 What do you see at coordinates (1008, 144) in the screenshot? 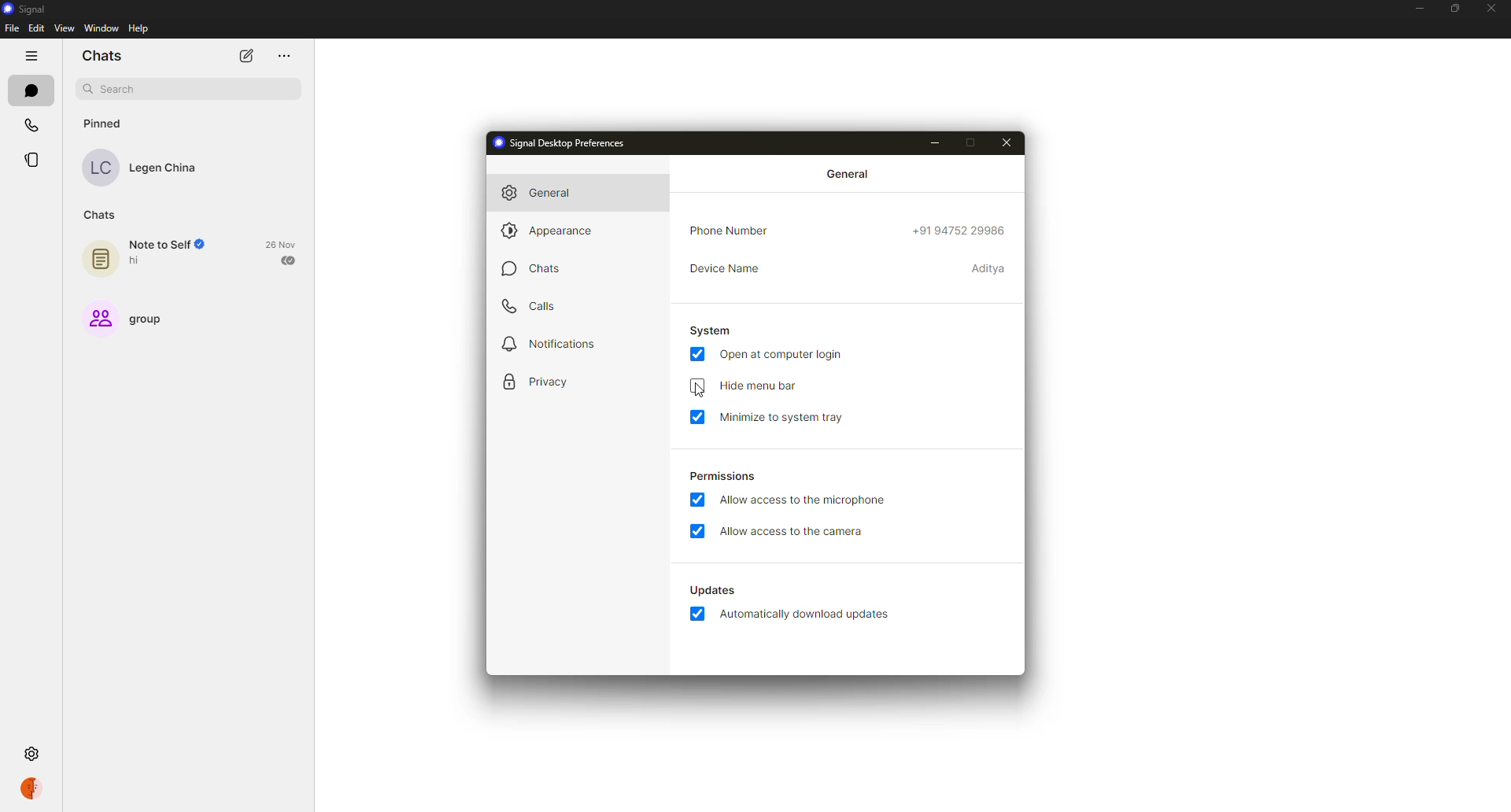
I see `close` at bounding box center [1008, 144].